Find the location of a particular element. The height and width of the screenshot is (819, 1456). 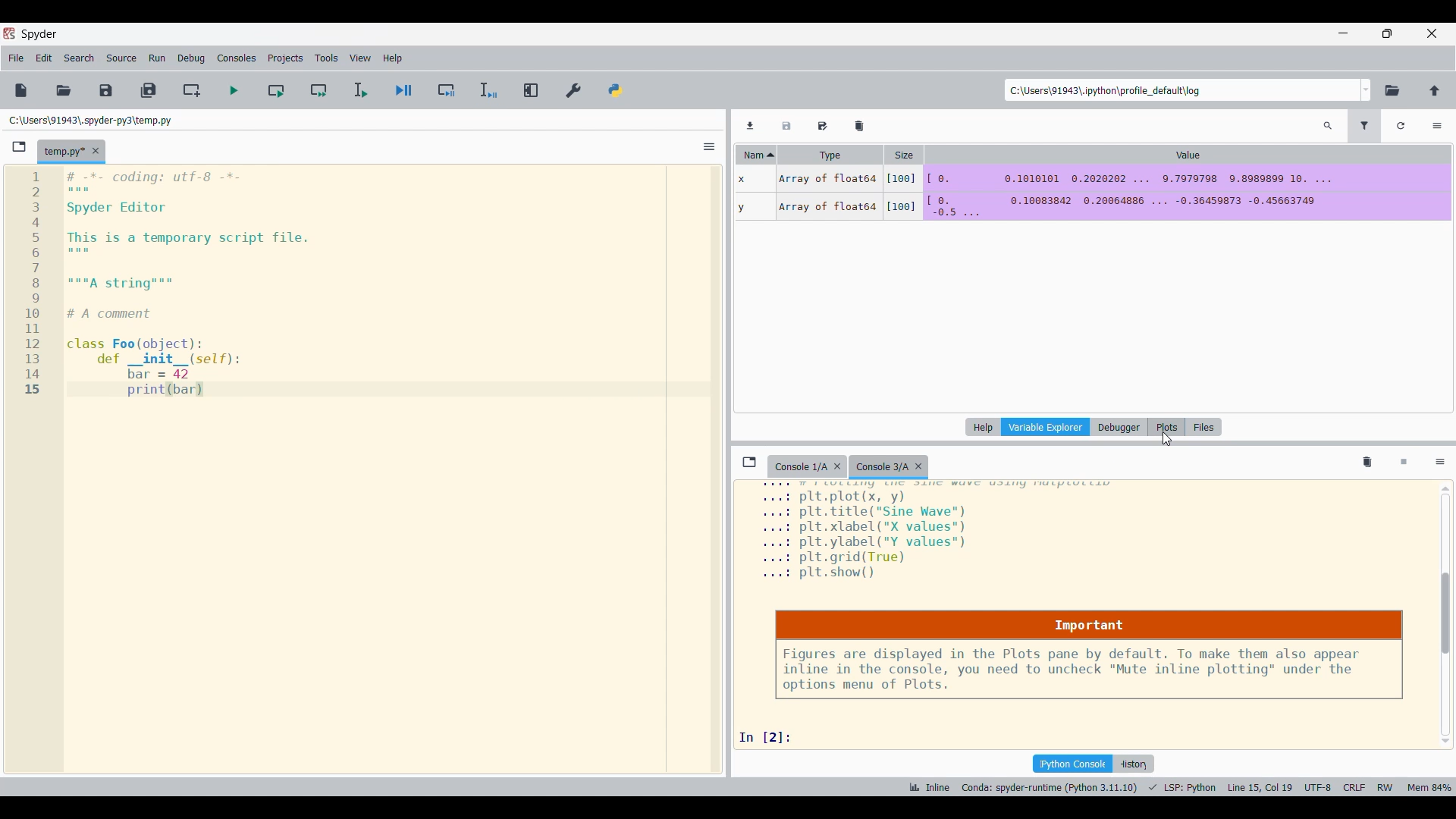

Notice is located at coordinates (1089, 655).